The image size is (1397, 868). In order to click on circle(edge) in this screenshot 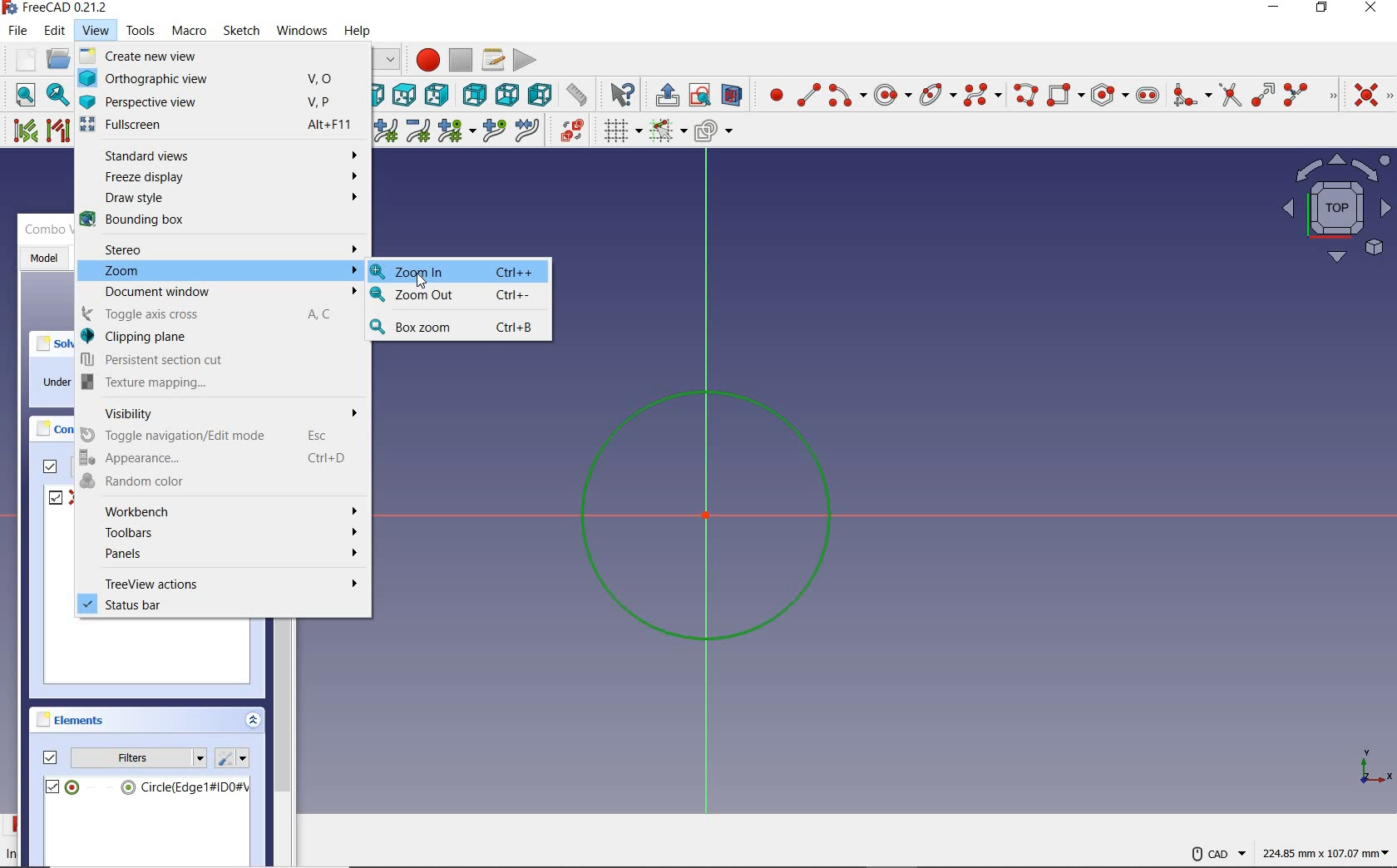, I will do `click(146, 786)`.